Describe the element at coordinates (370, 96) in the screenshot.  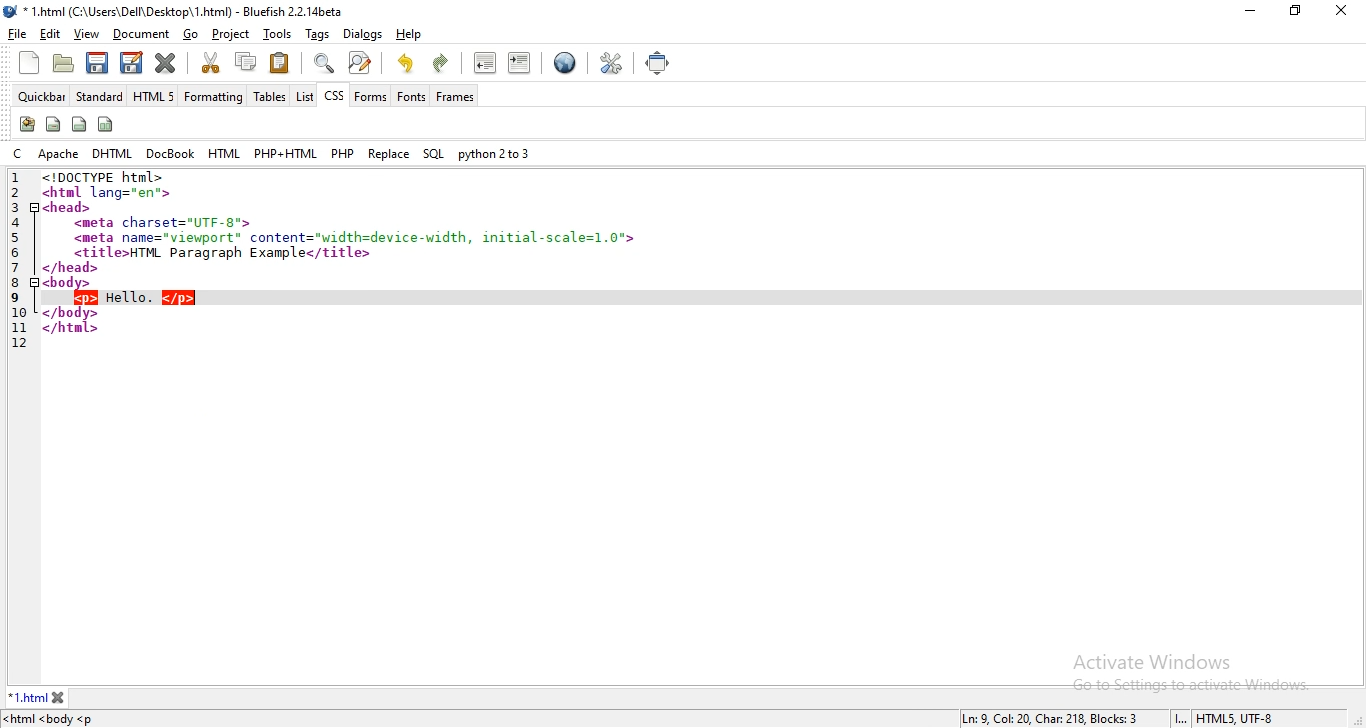
I see `forms` at that location.